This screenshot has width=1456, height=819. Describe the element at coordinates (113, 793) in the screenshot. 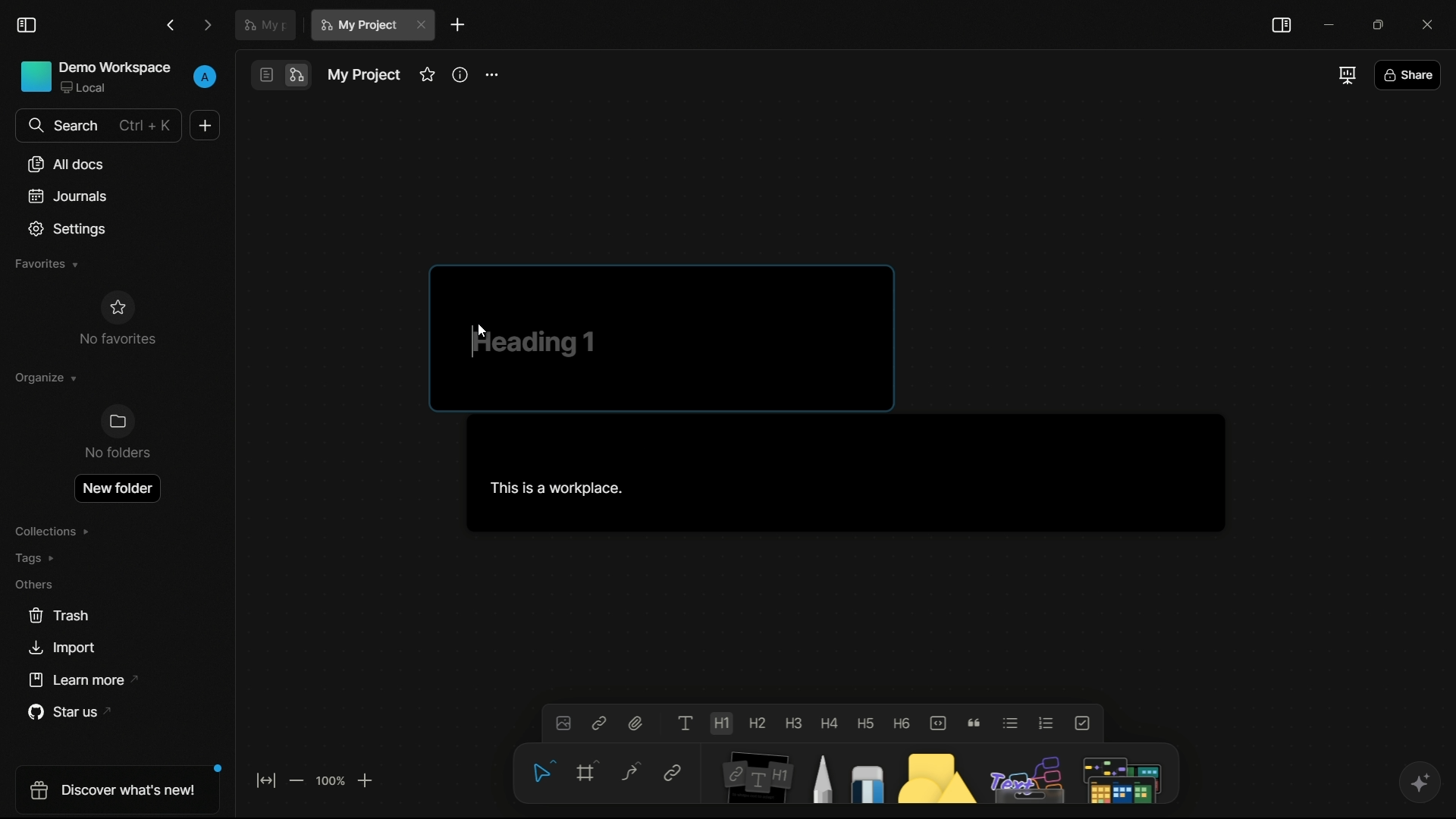

I see `discover what's new` at that location.